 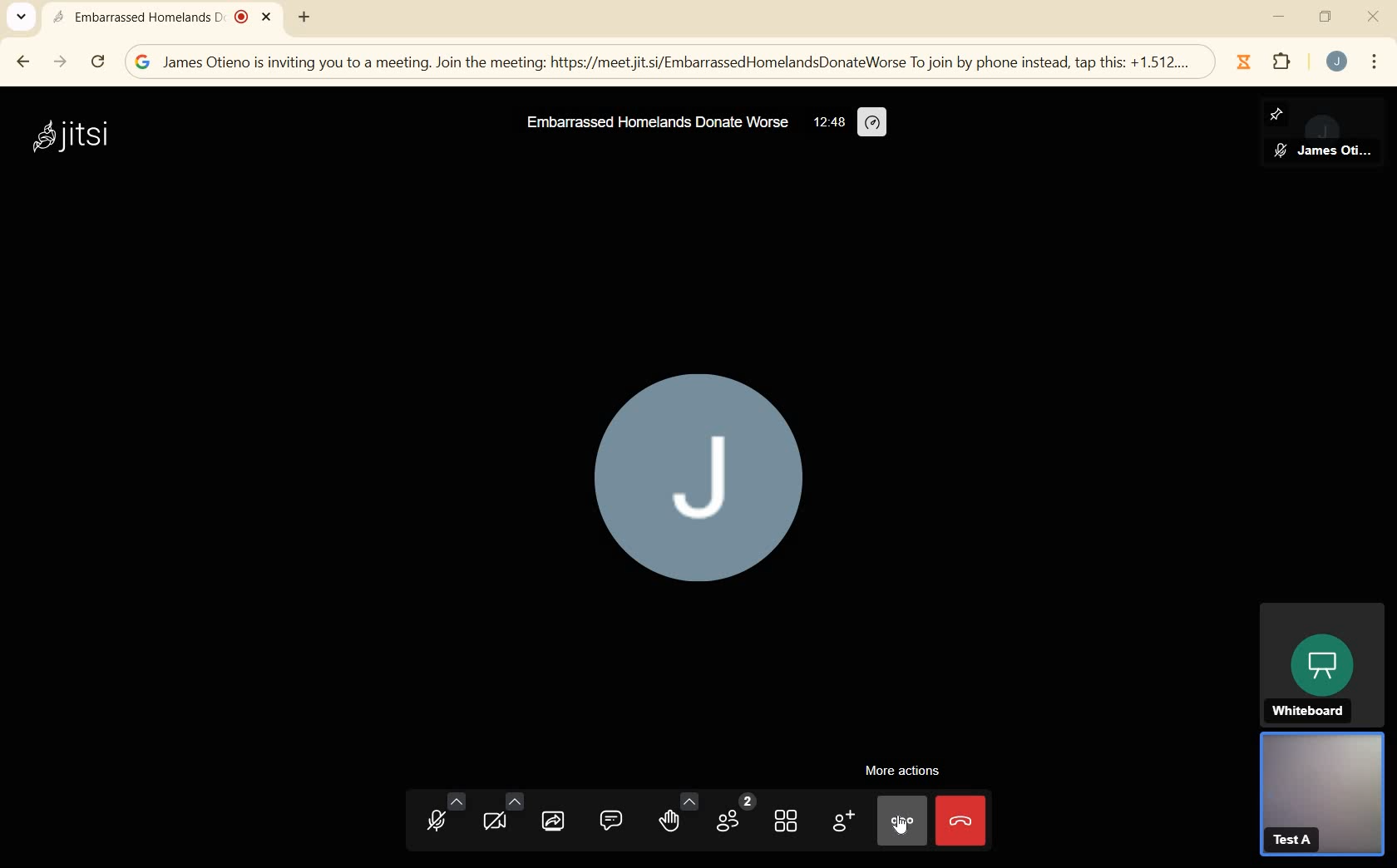 I want to click on More actions, so click(x=907, y=773).